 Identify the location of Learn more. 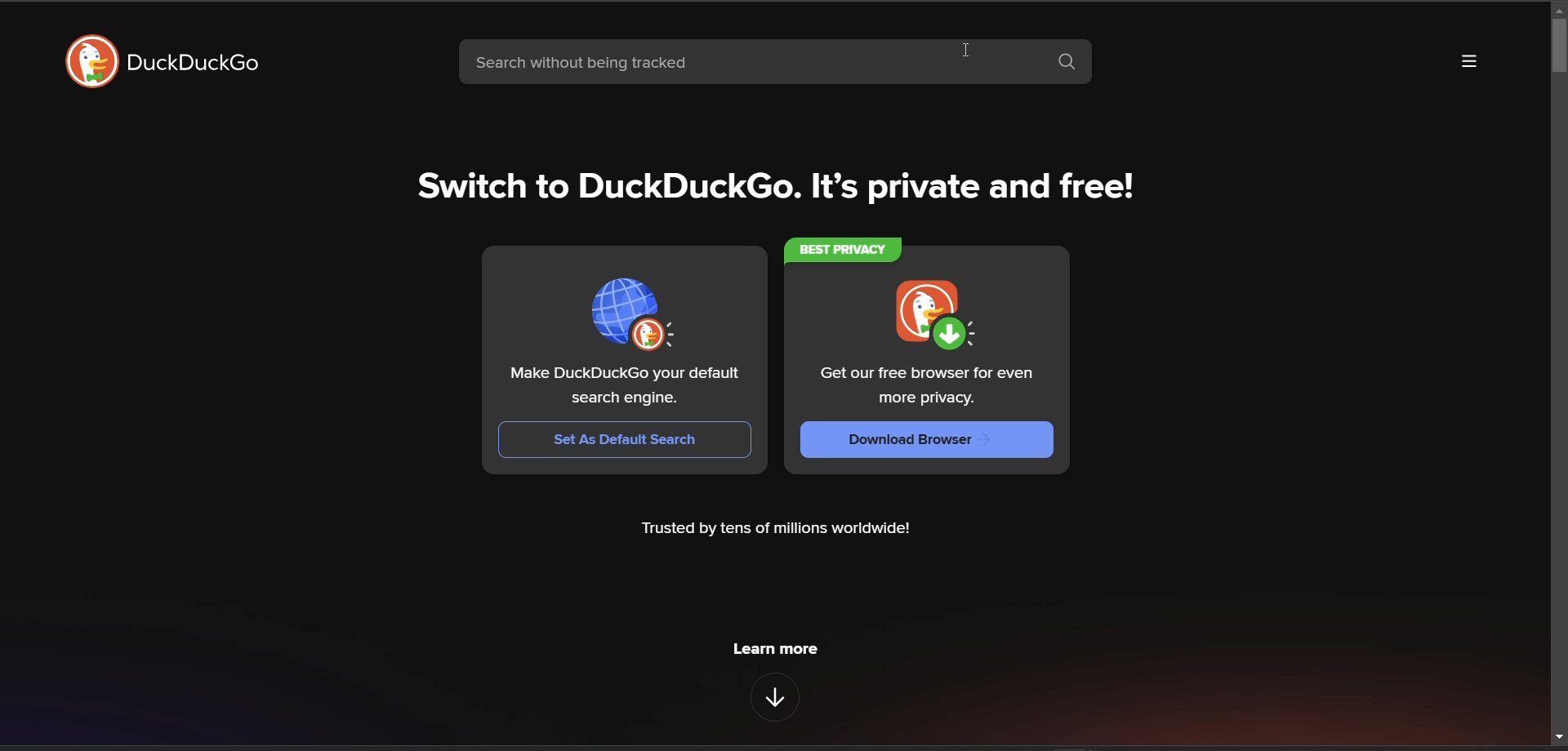
(774, 697).